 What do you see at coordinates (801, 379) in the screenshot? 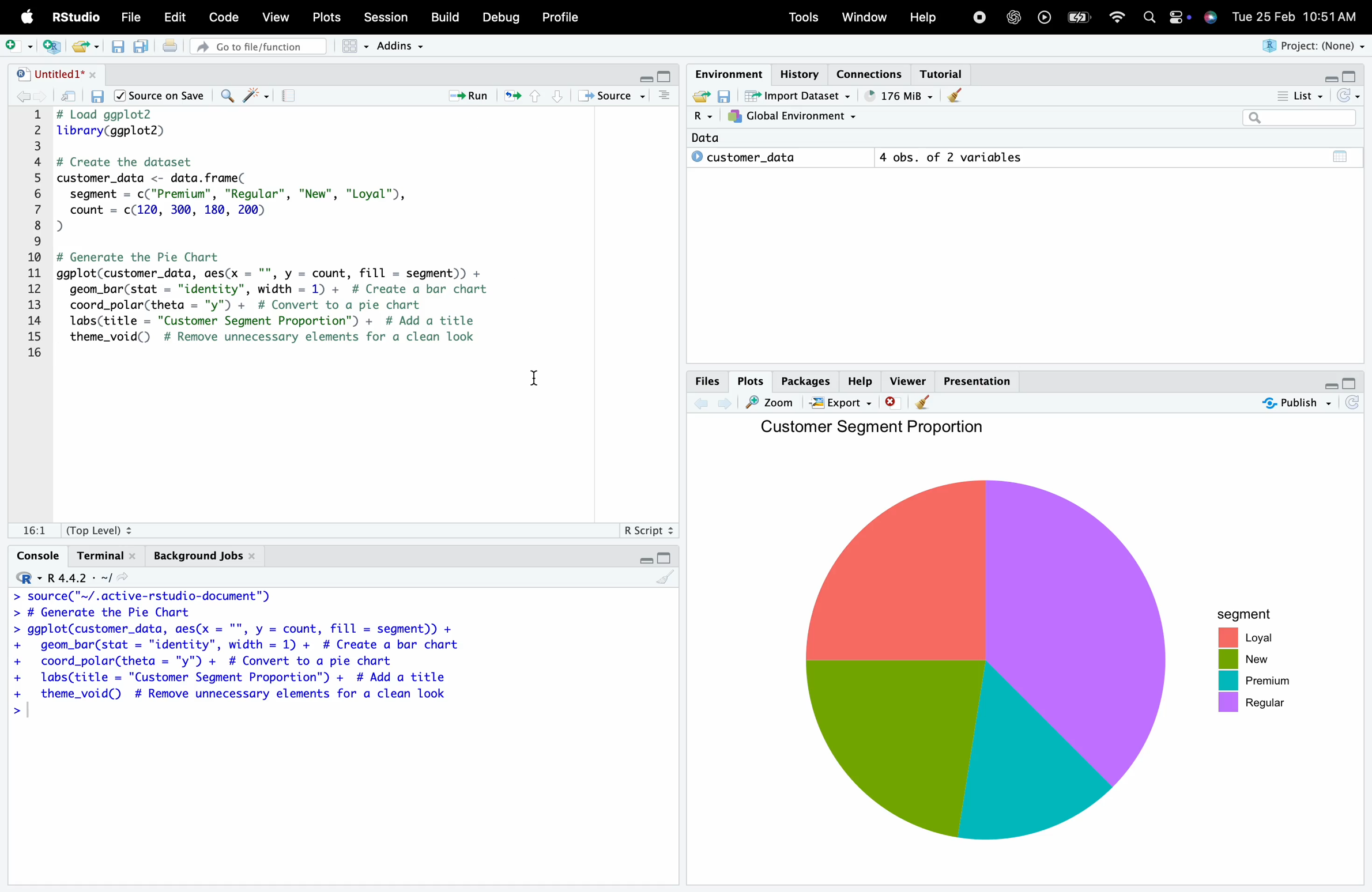
I see `Packages` at bounding box center [801, 379].